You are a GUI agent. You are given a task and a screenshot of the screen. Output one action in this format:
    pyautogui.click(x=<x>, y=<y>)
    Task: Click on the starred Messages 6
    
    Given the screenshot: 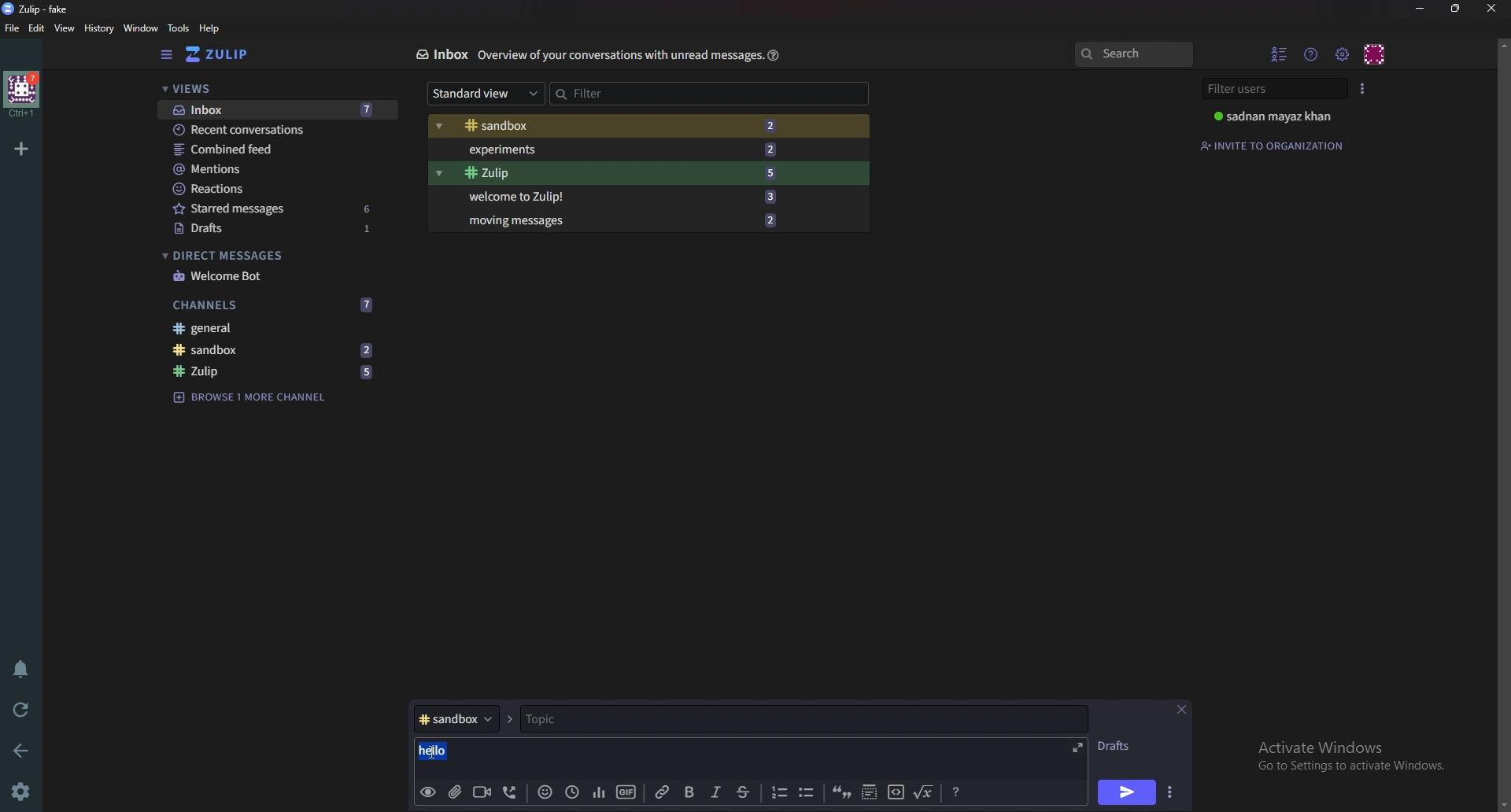 What is the action you would take?
    pyautogui.click(x=274, y=208)
    